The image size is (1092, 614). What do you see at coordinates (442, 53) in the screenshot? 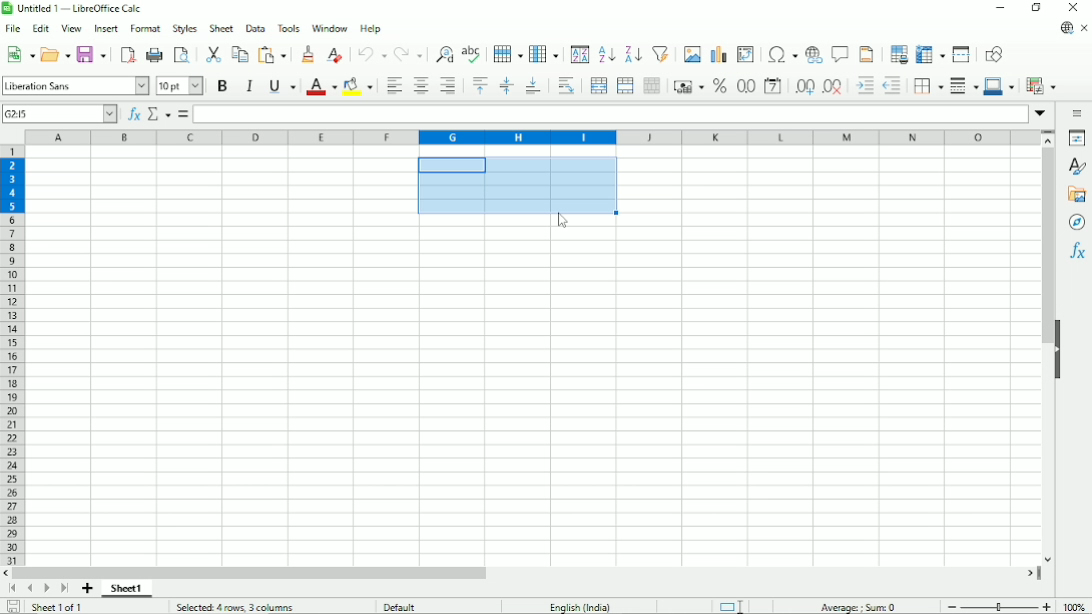
I see `Find and replace` at bounding box center [442, 53].